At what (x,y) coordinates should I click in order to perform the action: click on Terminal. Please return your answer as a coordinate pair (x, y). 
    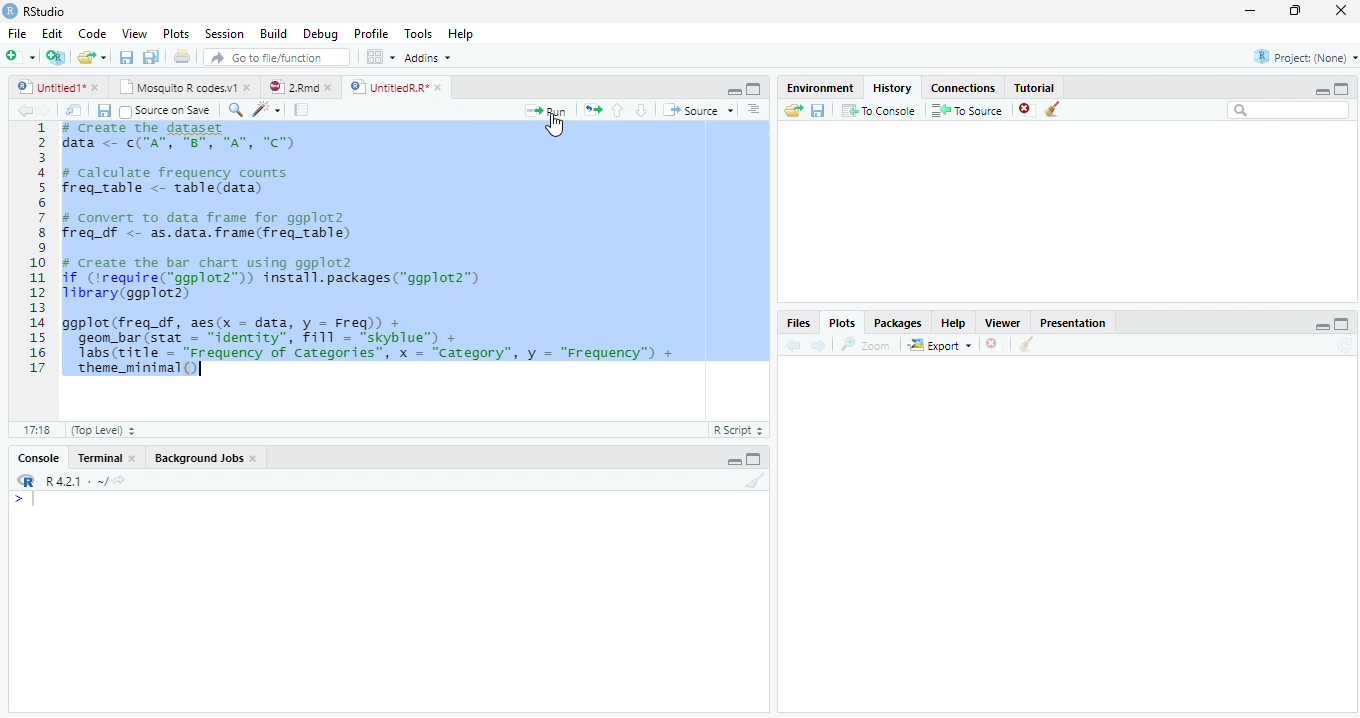
    Looking at the image, I should click on (107, 457).